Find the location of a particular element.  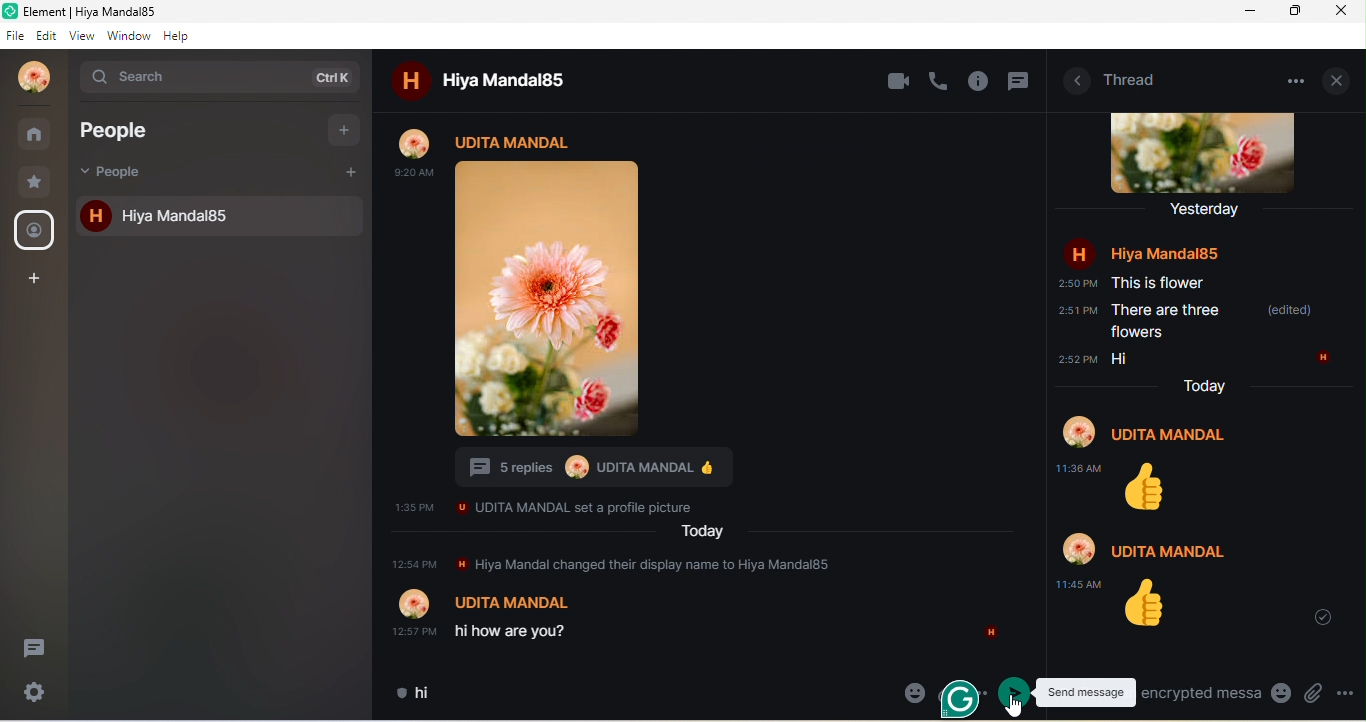

1:35 PM is located at coordinates (413, 507).